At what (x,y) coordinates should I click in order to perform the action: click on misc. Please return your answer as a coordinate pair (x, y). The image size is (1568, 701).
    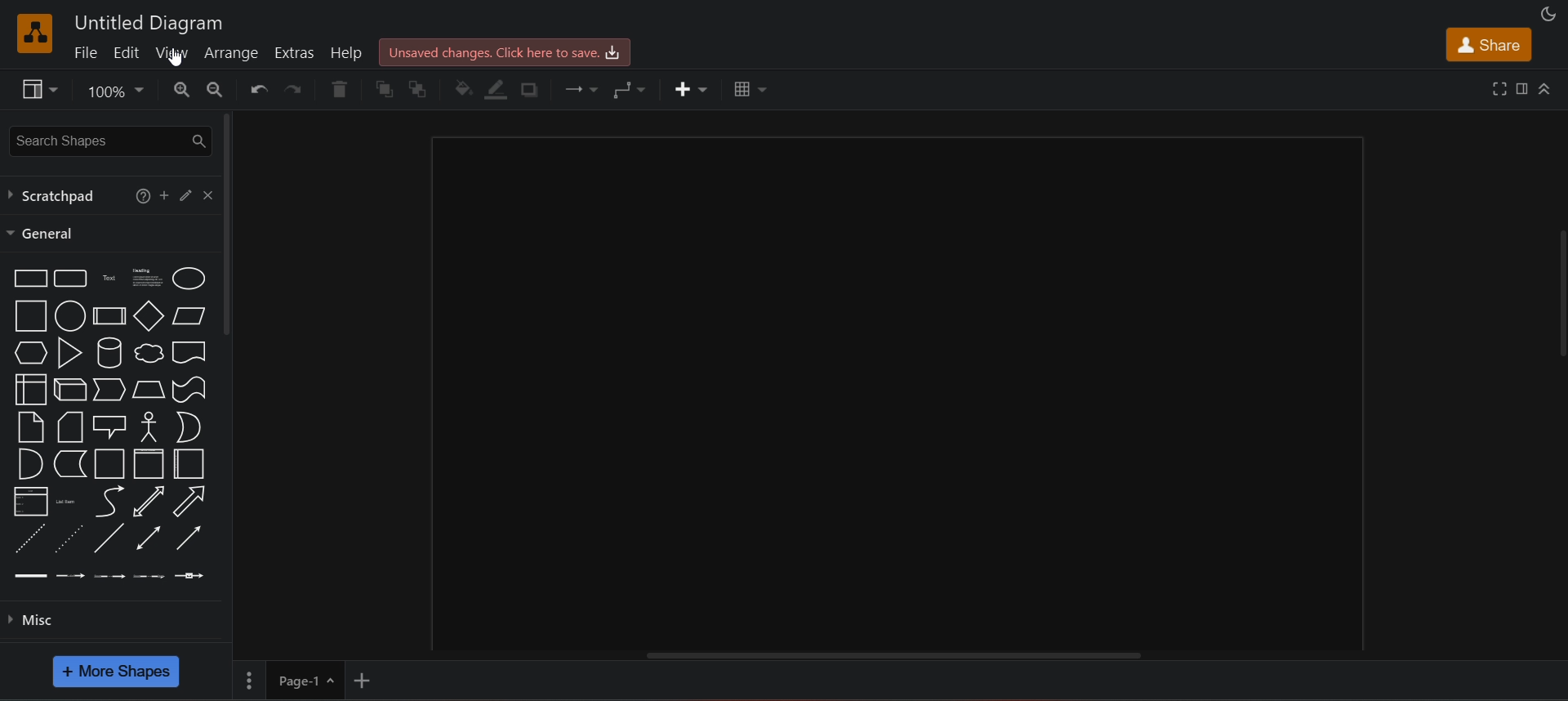
    Looking at the image, I should click on (118, 626).